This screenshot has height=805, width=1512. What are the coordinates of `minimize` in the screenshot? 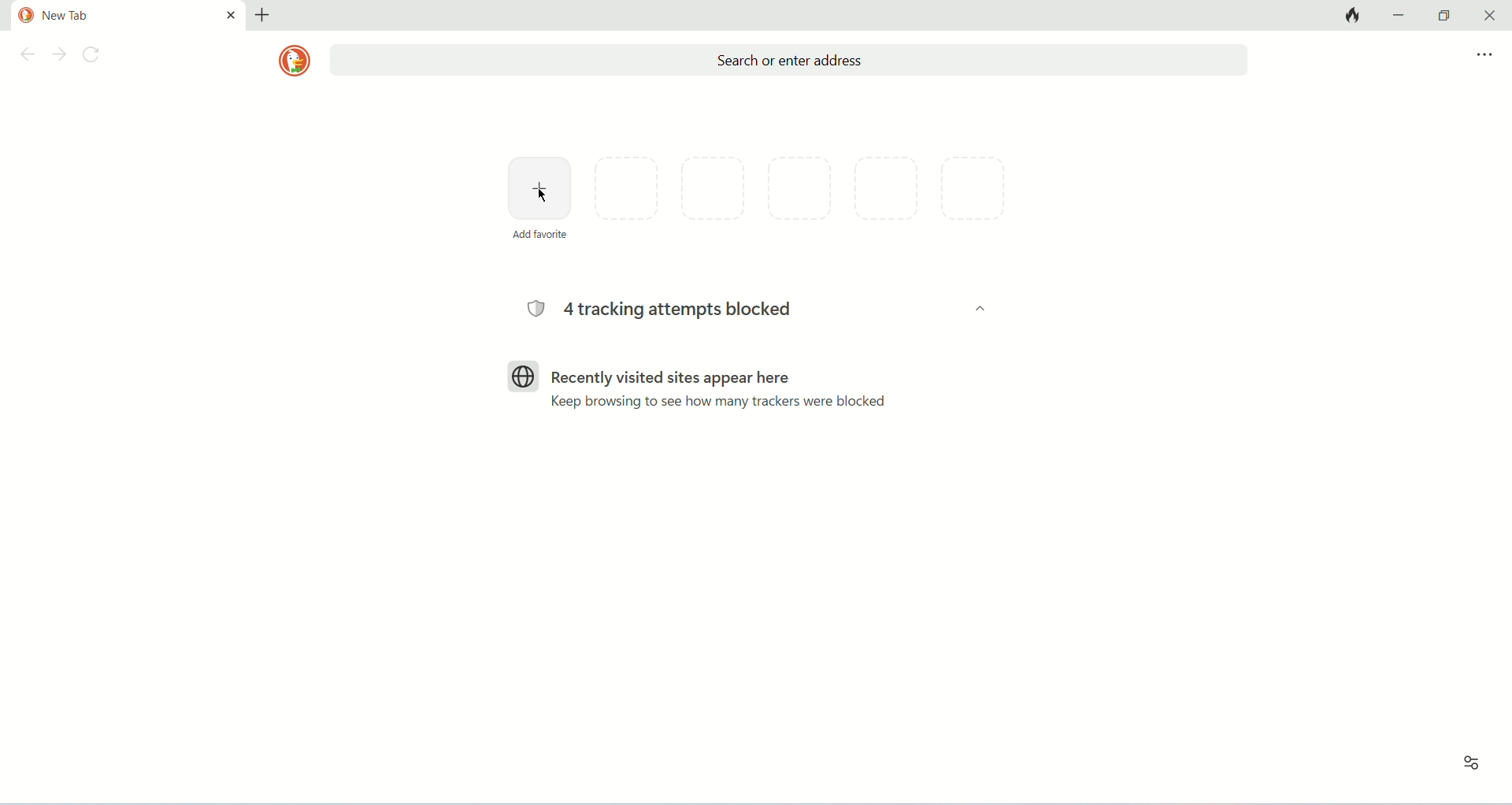 It's located at (1402, 14).